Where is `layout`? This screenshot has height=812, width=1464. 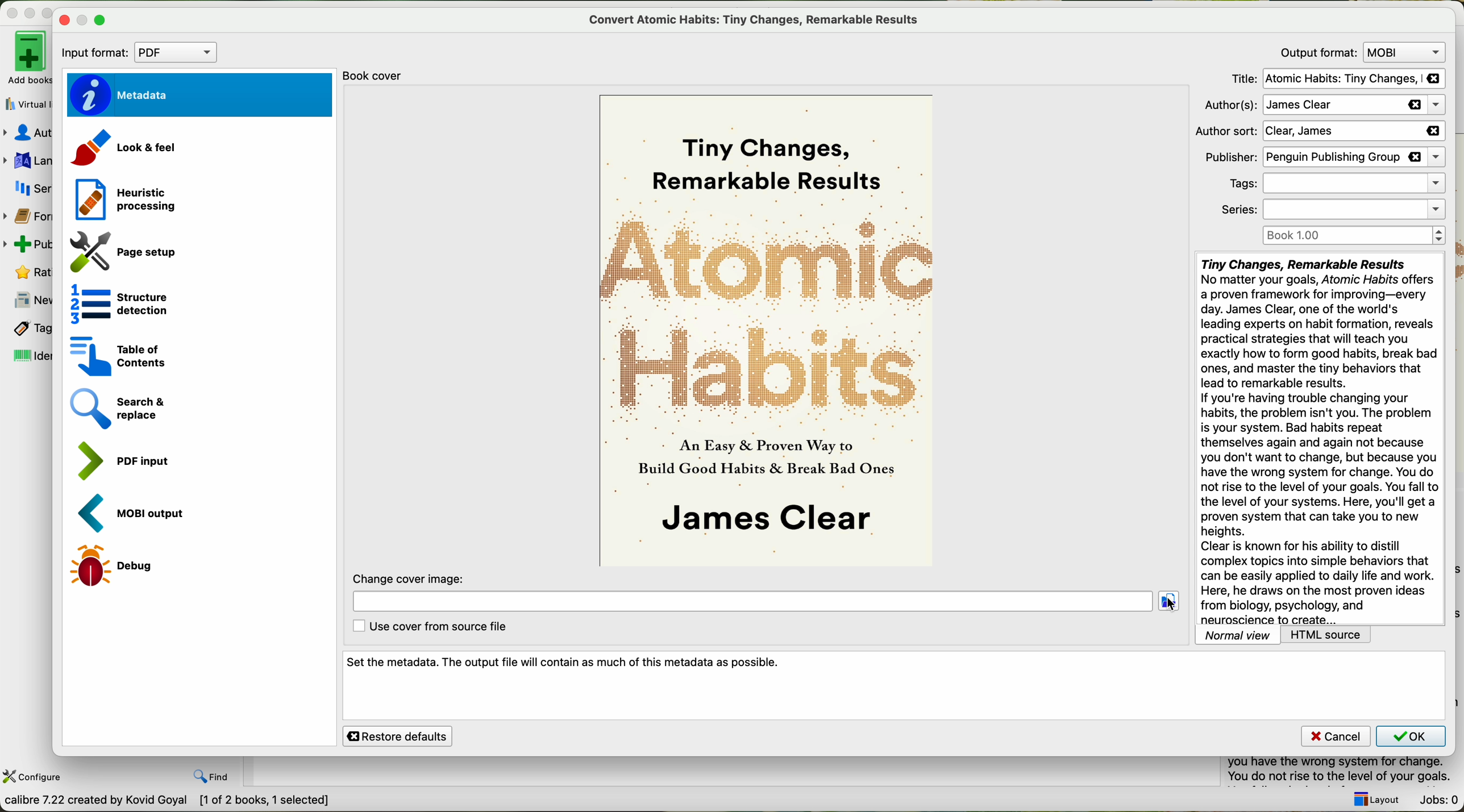 layout is located at coordinates (1373, 799).